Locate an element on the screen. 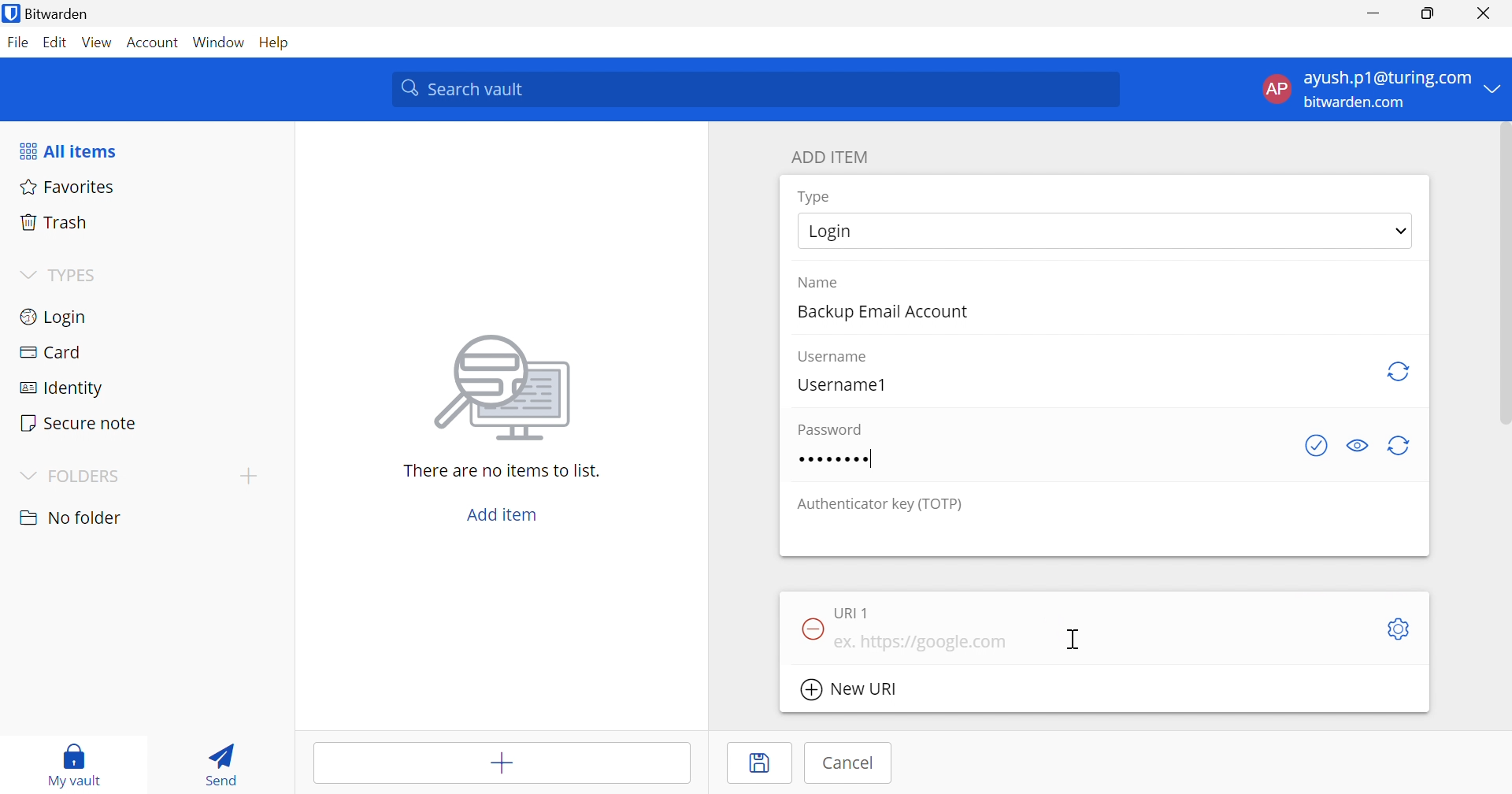 Image resolution: width=1512 pixels, height=794 pixels. Save is located at coordinates (759, 764).